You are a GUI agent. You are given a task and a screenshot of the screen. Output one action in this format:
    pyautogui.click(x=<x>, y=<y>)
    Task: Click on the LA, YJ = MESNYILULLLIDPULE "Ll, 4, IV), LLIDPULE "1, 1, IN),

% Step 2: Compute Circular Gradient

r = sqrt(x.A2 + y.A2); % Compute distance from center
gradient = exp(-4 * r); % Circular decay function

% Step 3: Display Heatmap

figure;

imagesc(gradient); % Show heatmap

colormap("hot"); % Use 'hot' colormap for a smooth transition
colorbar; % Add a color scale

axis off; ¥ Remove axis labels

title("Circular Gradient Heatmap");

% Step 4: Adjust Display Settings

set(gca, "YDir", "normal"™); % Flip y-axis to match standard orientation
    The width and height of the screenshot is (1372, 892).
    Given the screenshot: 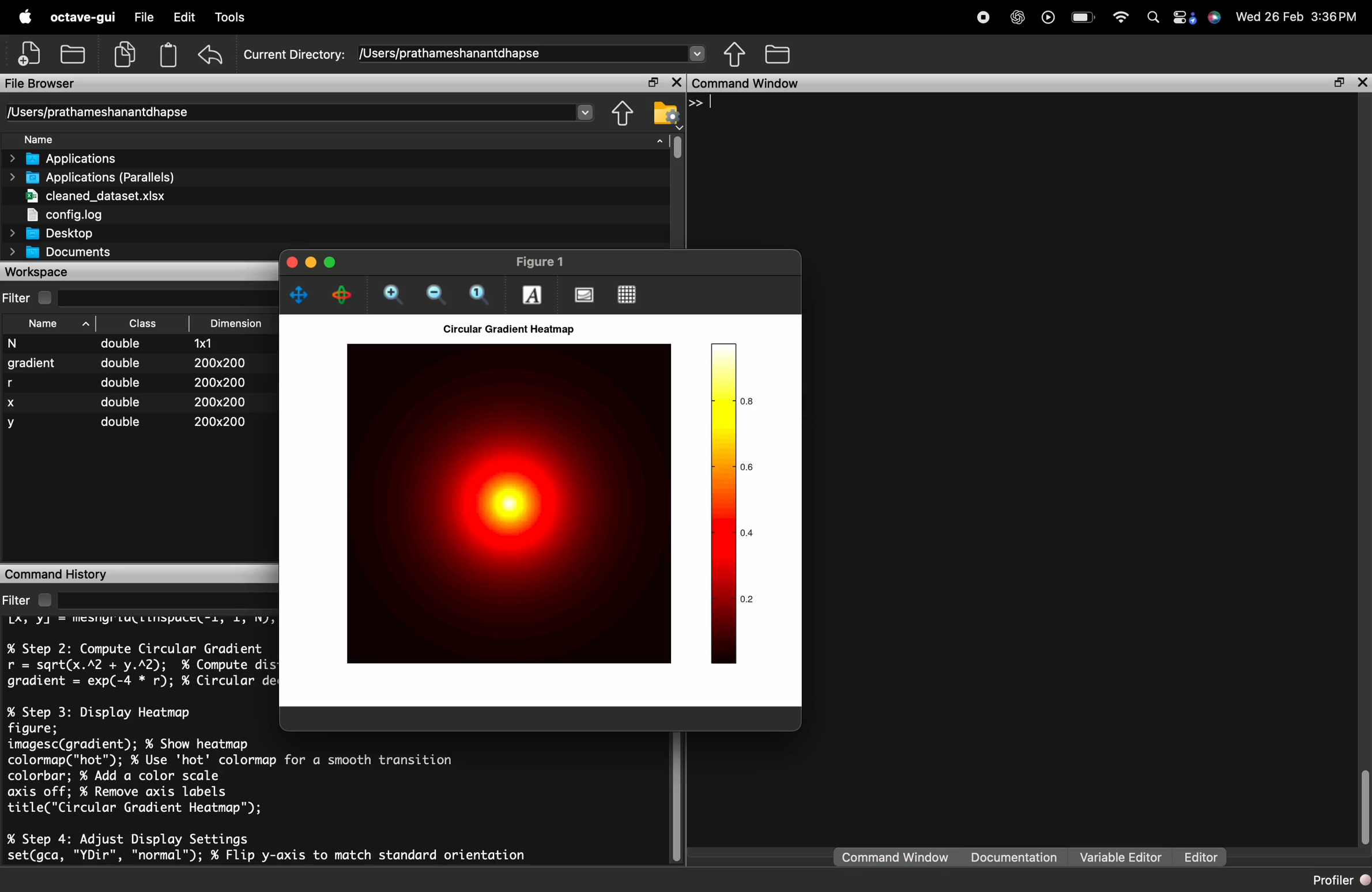 What is the action you would take?
    pyautogui.click(x=137, y=740)
    